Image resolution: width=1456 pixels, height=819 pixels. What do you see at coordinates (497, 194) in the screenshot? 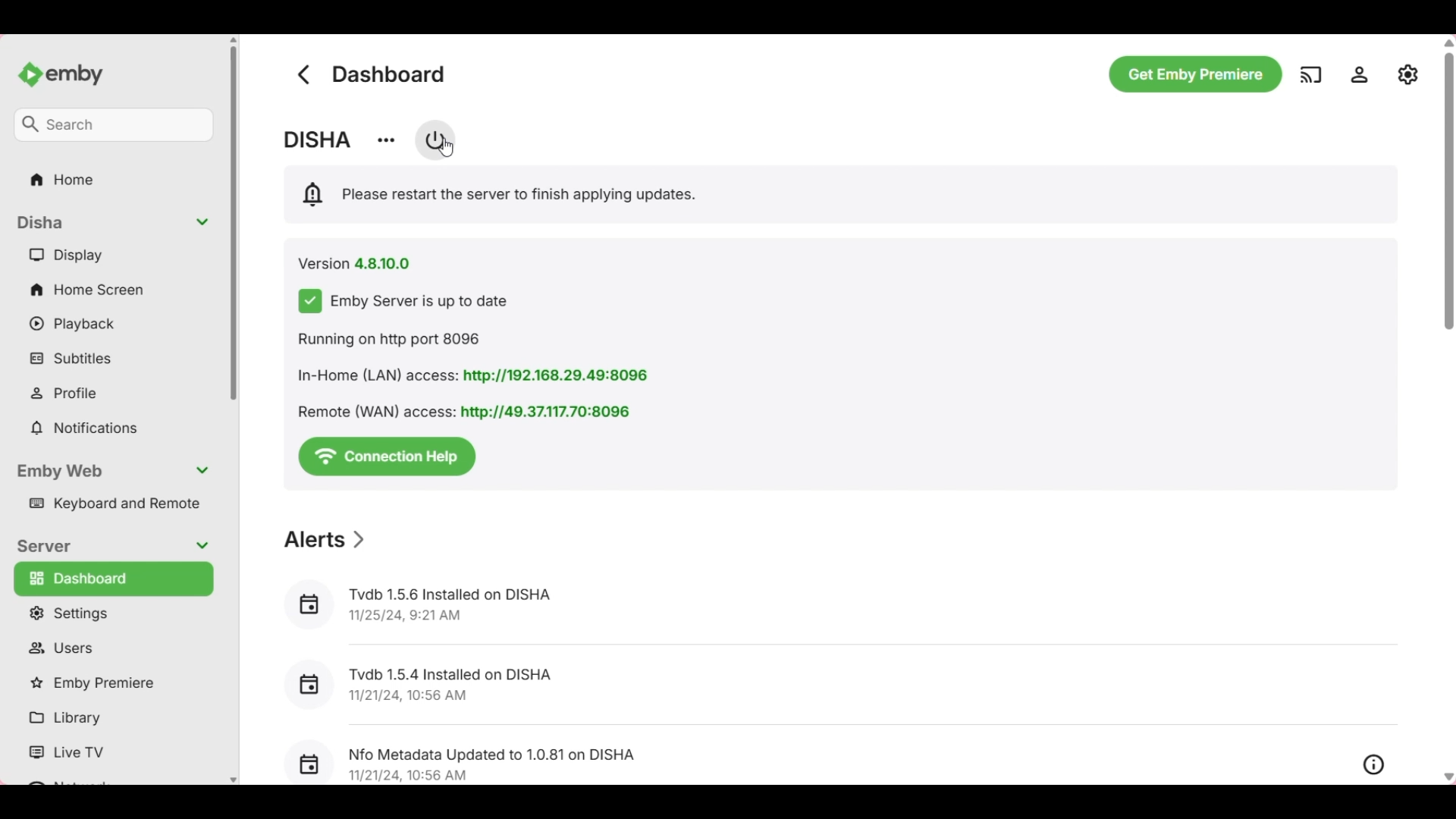
I see `Software notification` at bounding box center [497, 194].